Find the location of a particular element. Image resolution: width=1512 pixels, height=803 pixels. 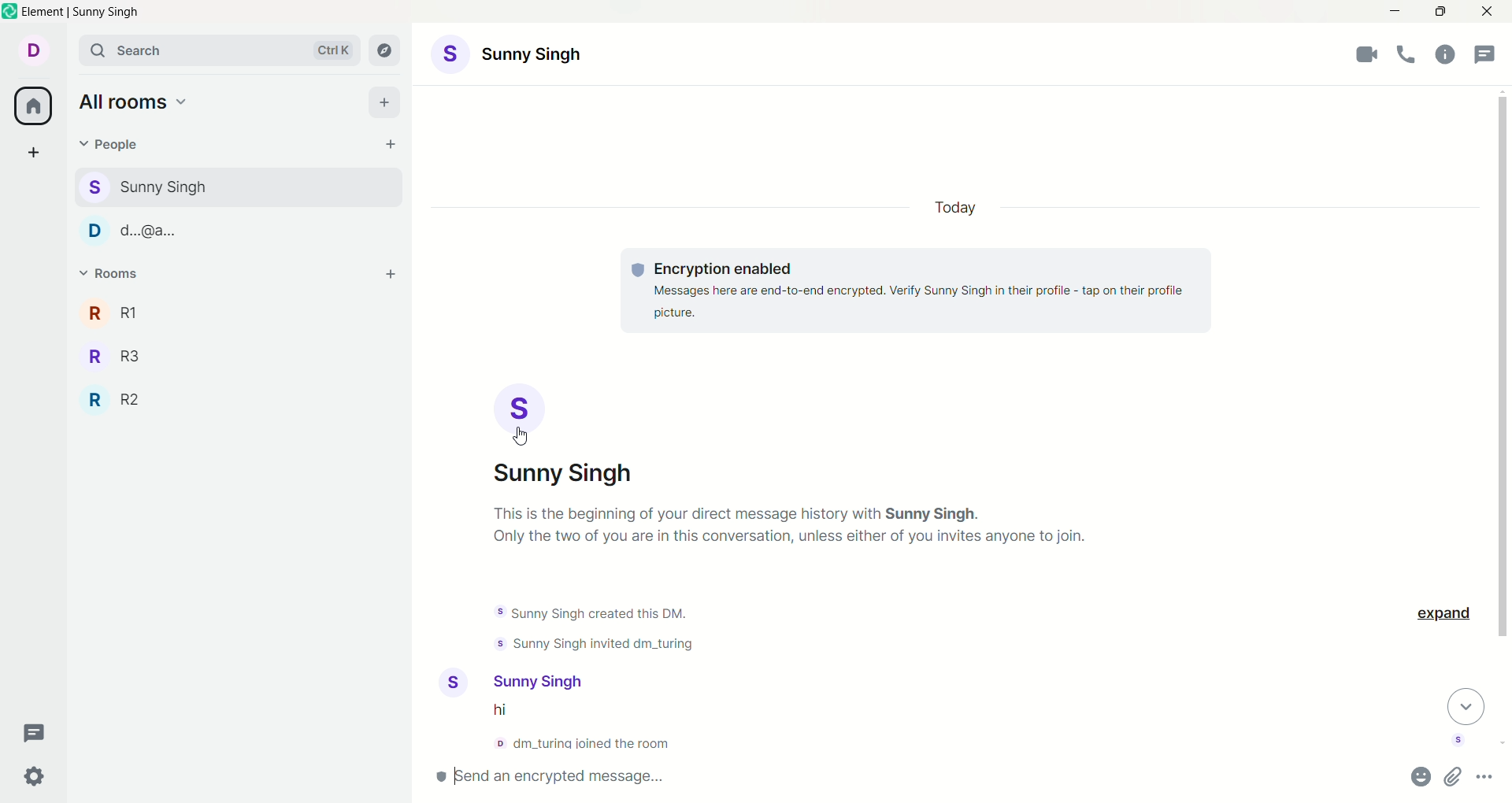

threads is located at coordinates (35, 735).